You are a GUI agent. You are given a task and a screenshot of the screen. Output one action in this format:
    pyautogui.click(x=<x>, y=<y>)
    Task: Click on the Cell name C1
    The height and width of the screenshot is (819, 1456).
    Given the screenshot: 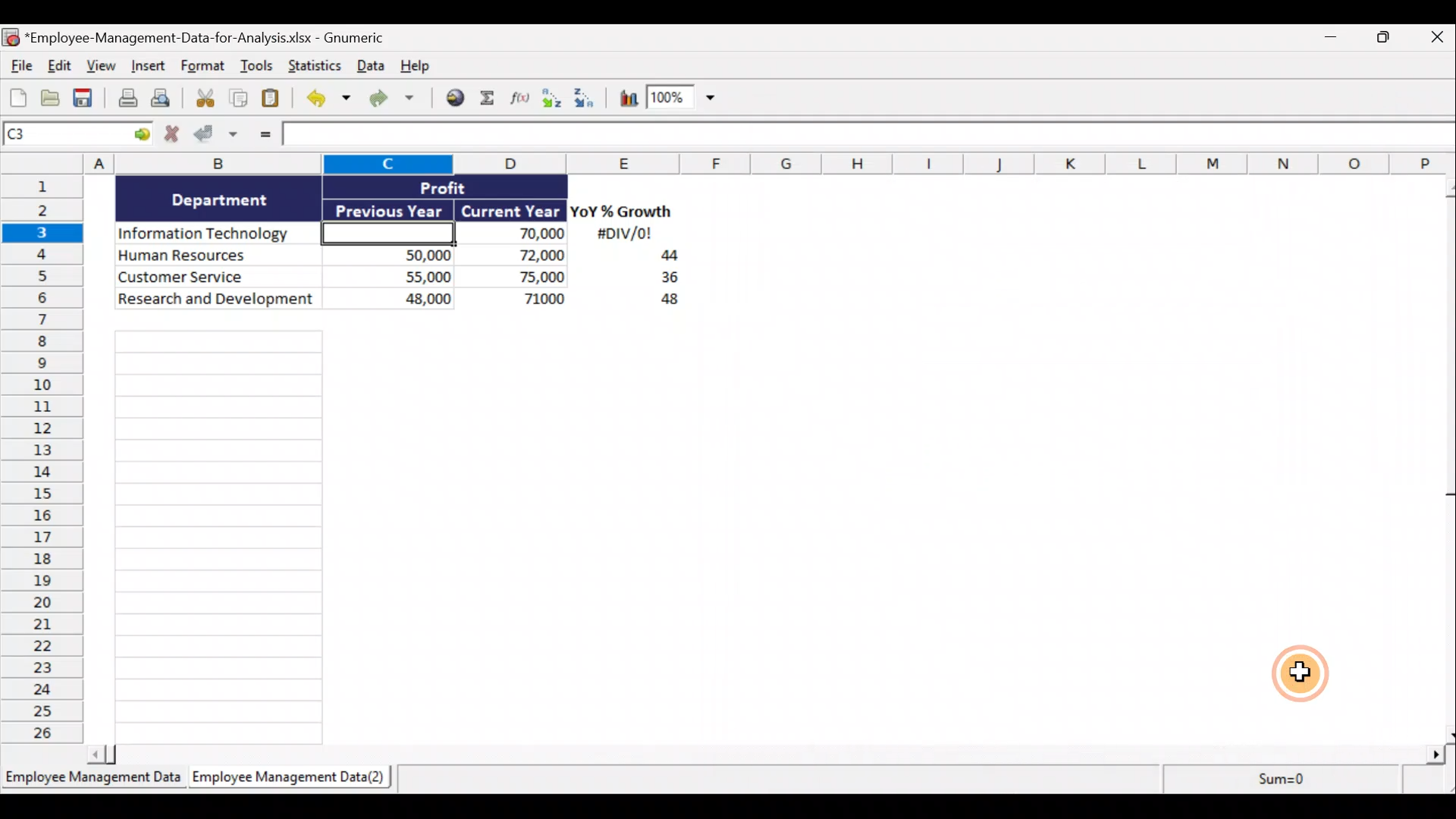 What is the action you would take?
    pyautogui.click(x=64, y=136)
    